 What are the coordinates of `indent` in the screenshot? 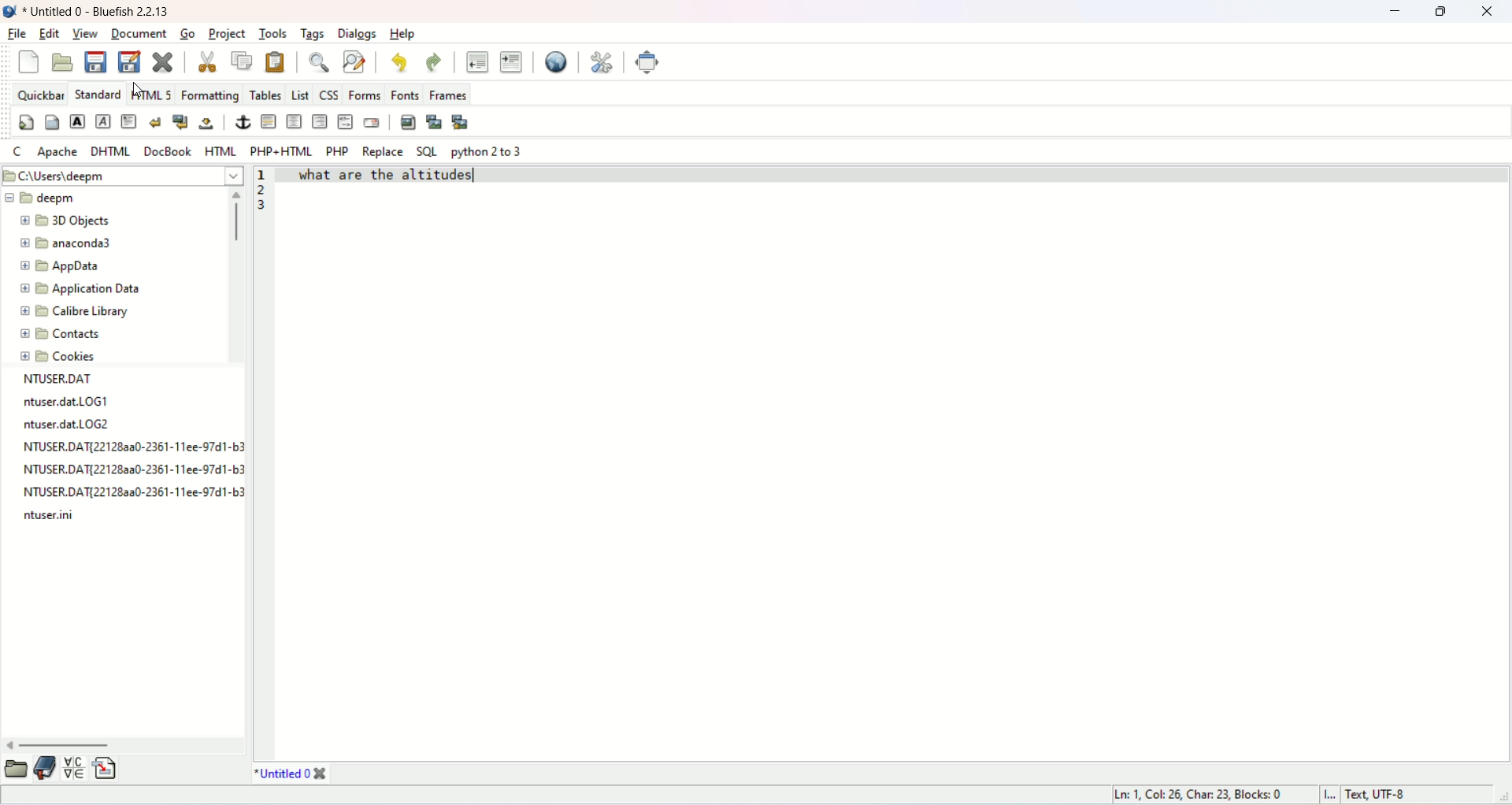 It's located at (510, 61).